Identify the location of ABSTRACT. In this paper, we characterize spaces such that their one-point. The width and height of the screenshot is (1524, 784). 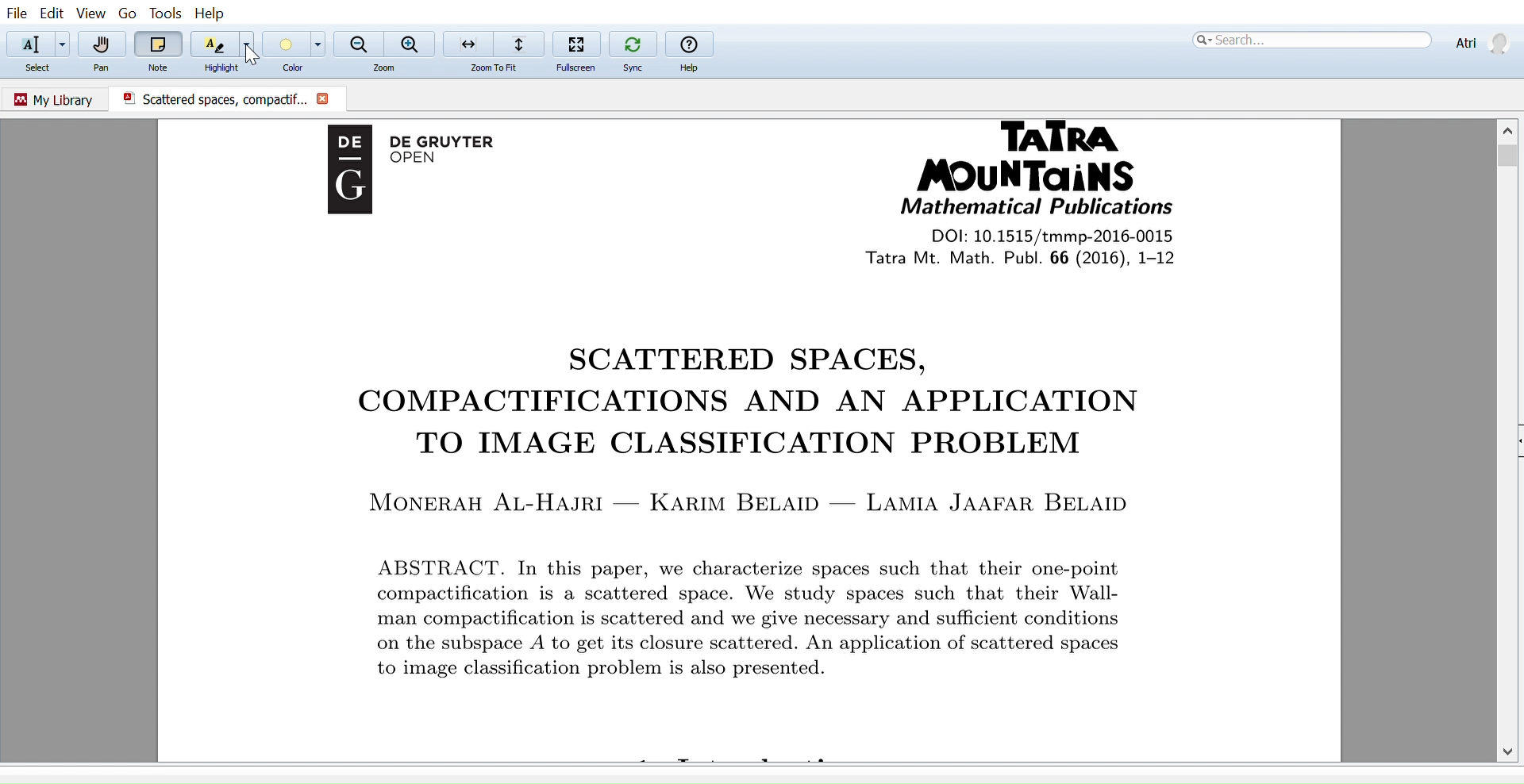
(777, 564).